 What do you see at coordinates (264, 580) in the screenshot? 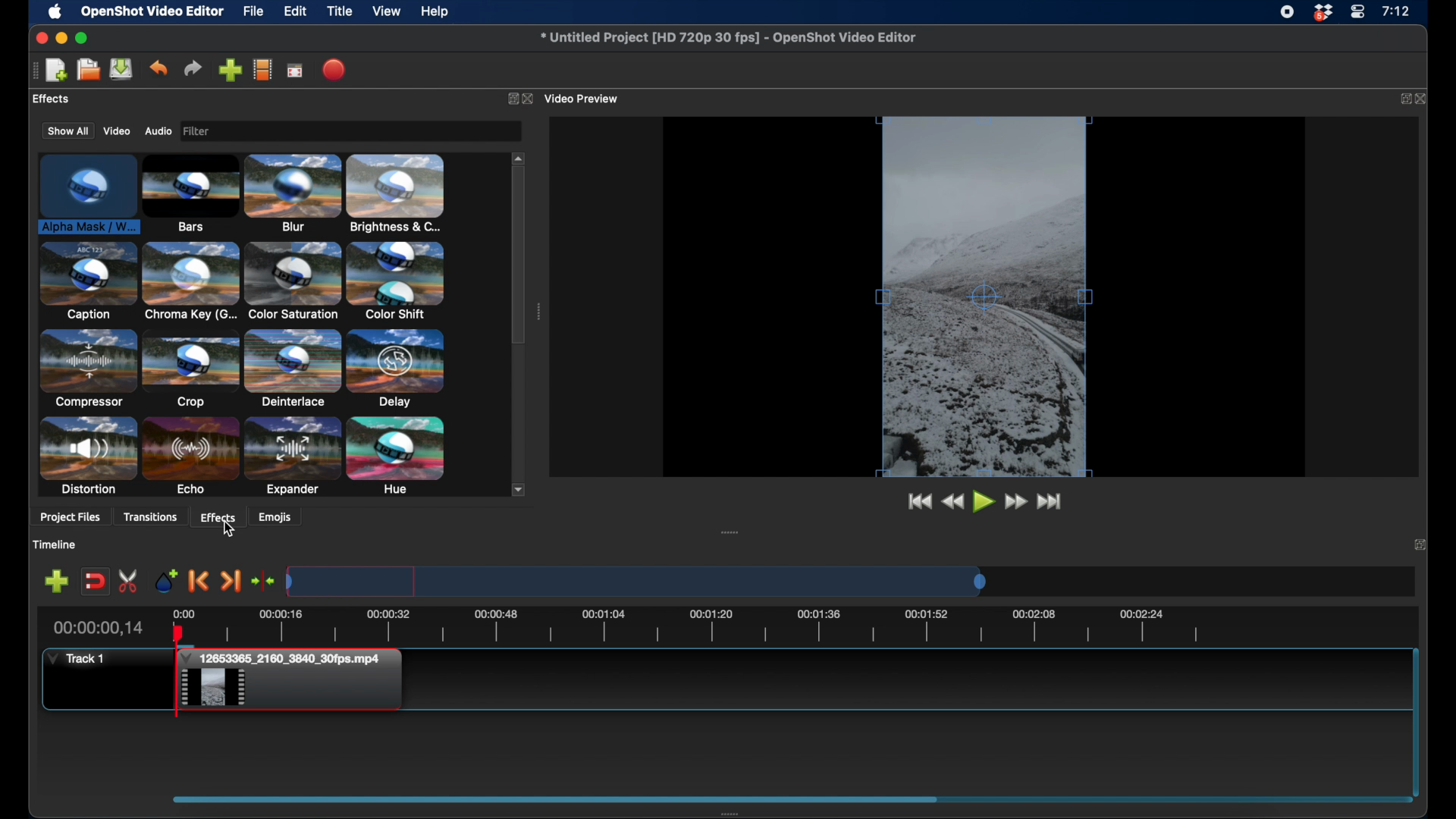
I see `center the playhead on timeline` at bounding box center [264, 580].